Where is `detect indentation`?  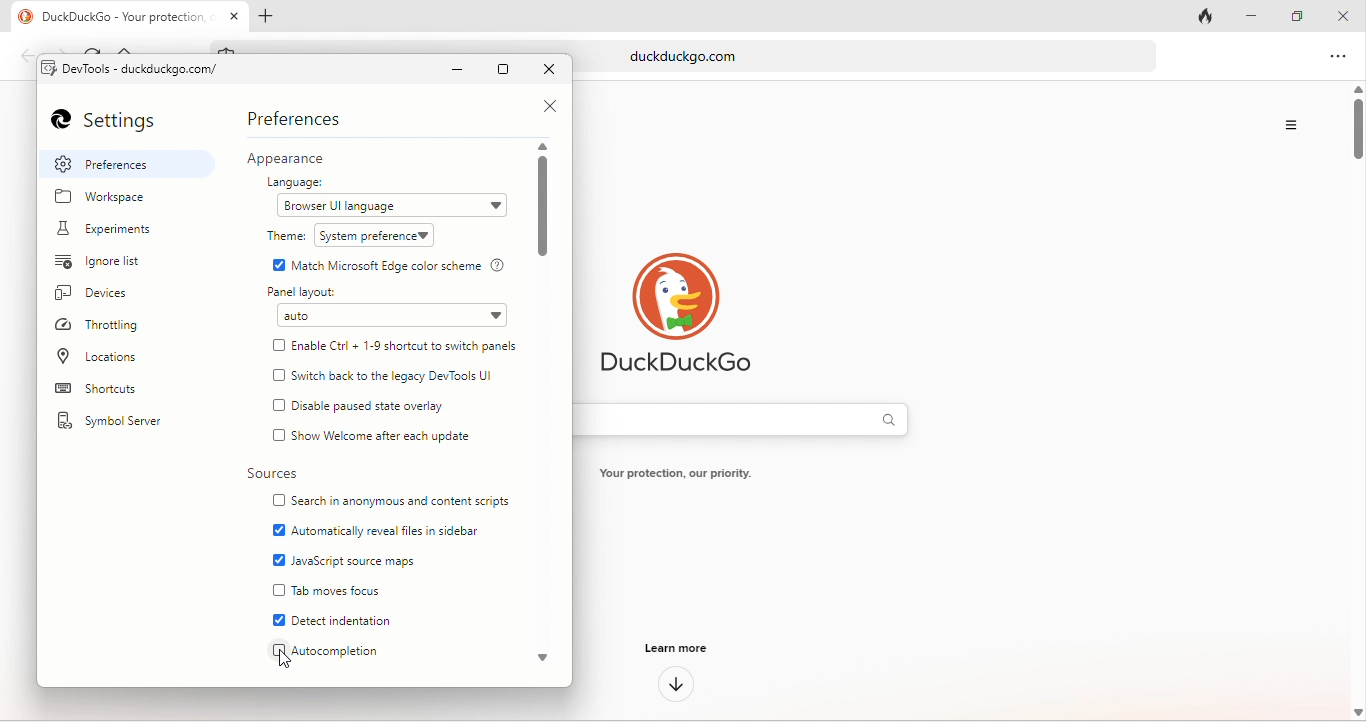
detect indentation is located at coordinates (355, 619).